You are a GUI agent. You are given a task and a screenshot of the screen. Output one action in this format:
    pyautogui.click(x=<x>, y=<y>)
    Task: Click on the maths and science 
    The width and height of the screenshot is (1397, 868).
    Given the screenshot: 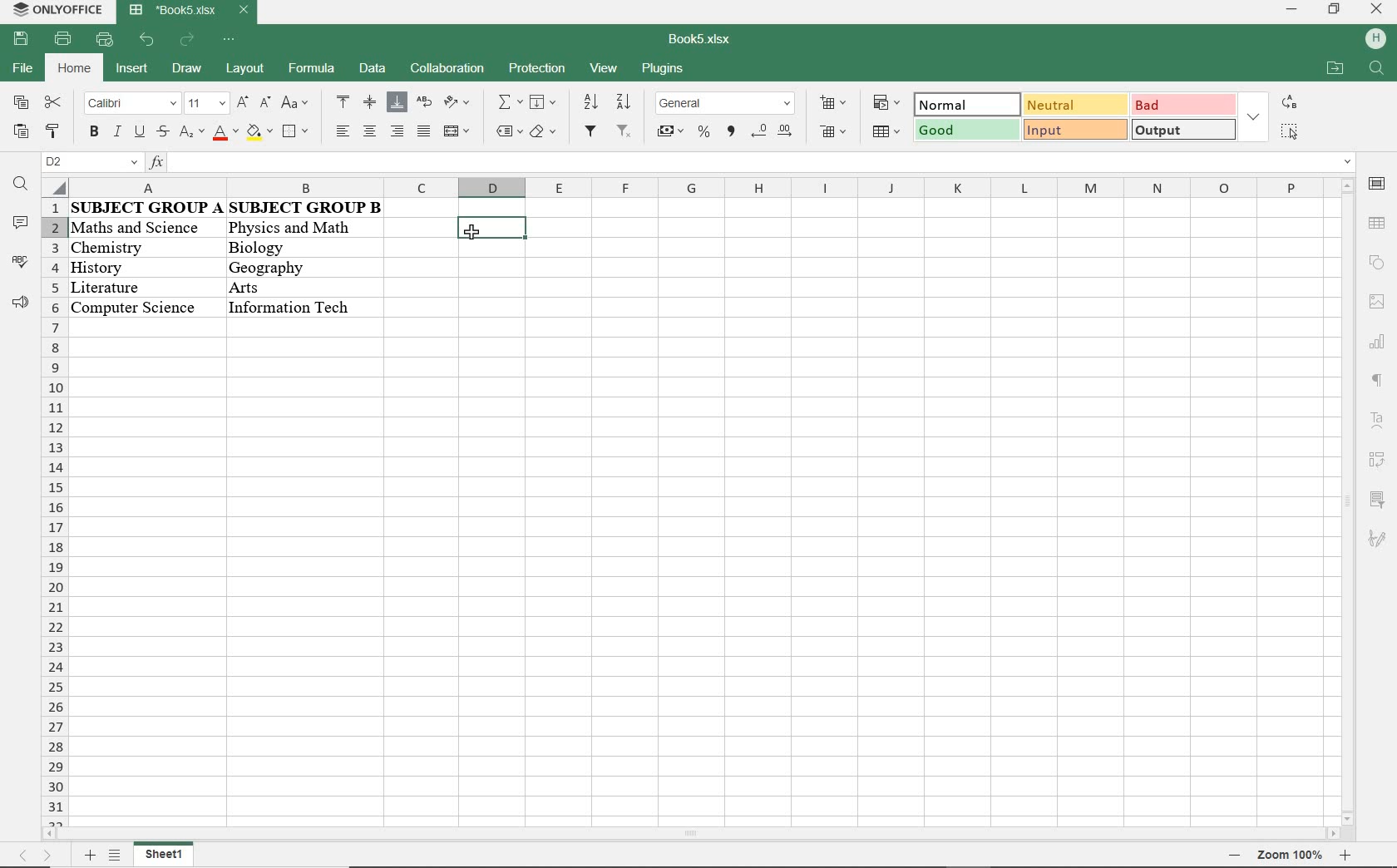 What is the action you would take?
    pyautogui.click(x=143, y=226)
    